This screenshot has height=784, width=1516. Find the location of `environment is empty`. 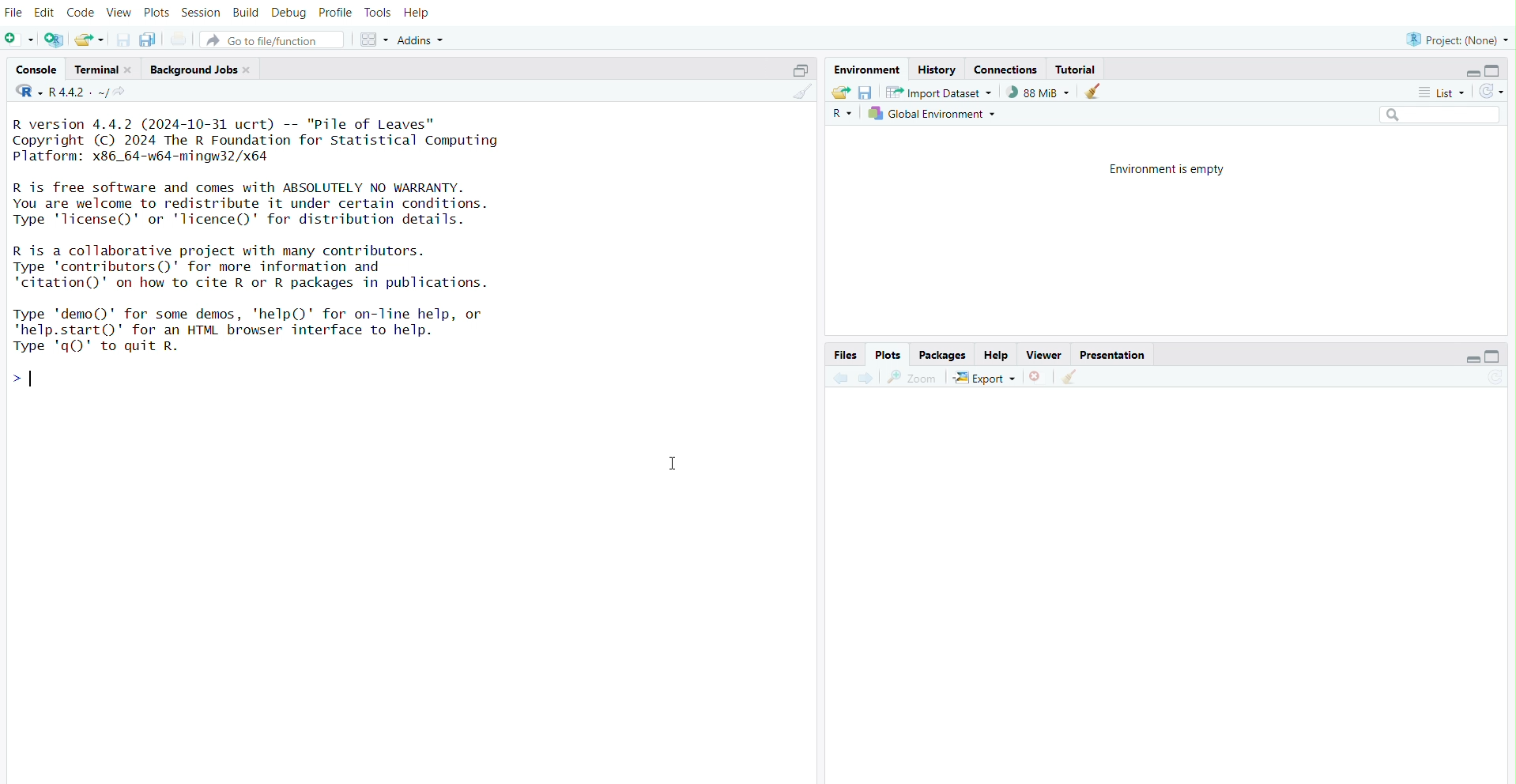

environment is empty is located at coordinates (1162, 169).